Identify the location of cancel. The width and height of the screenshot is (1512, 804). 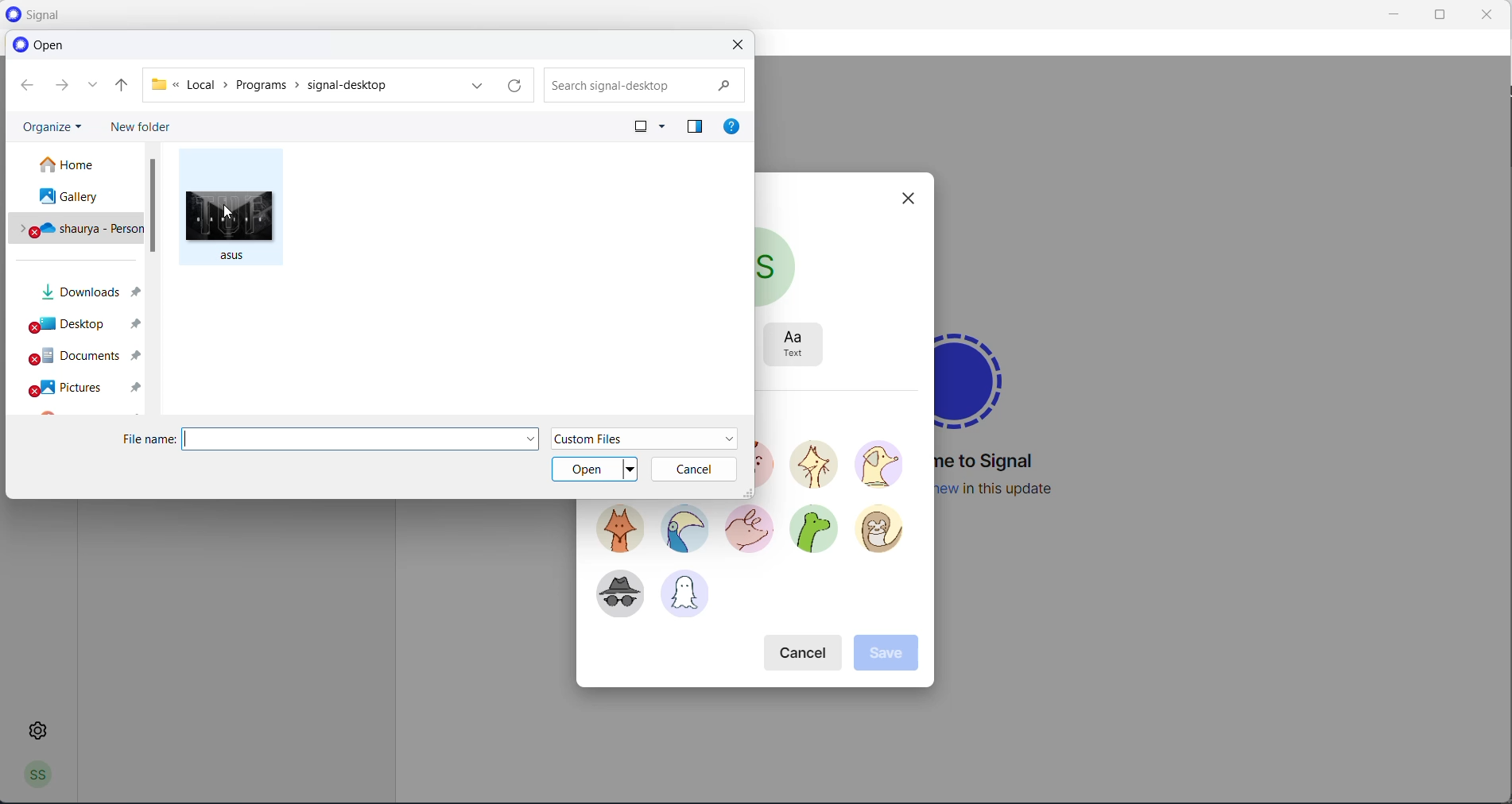
(805, 650).